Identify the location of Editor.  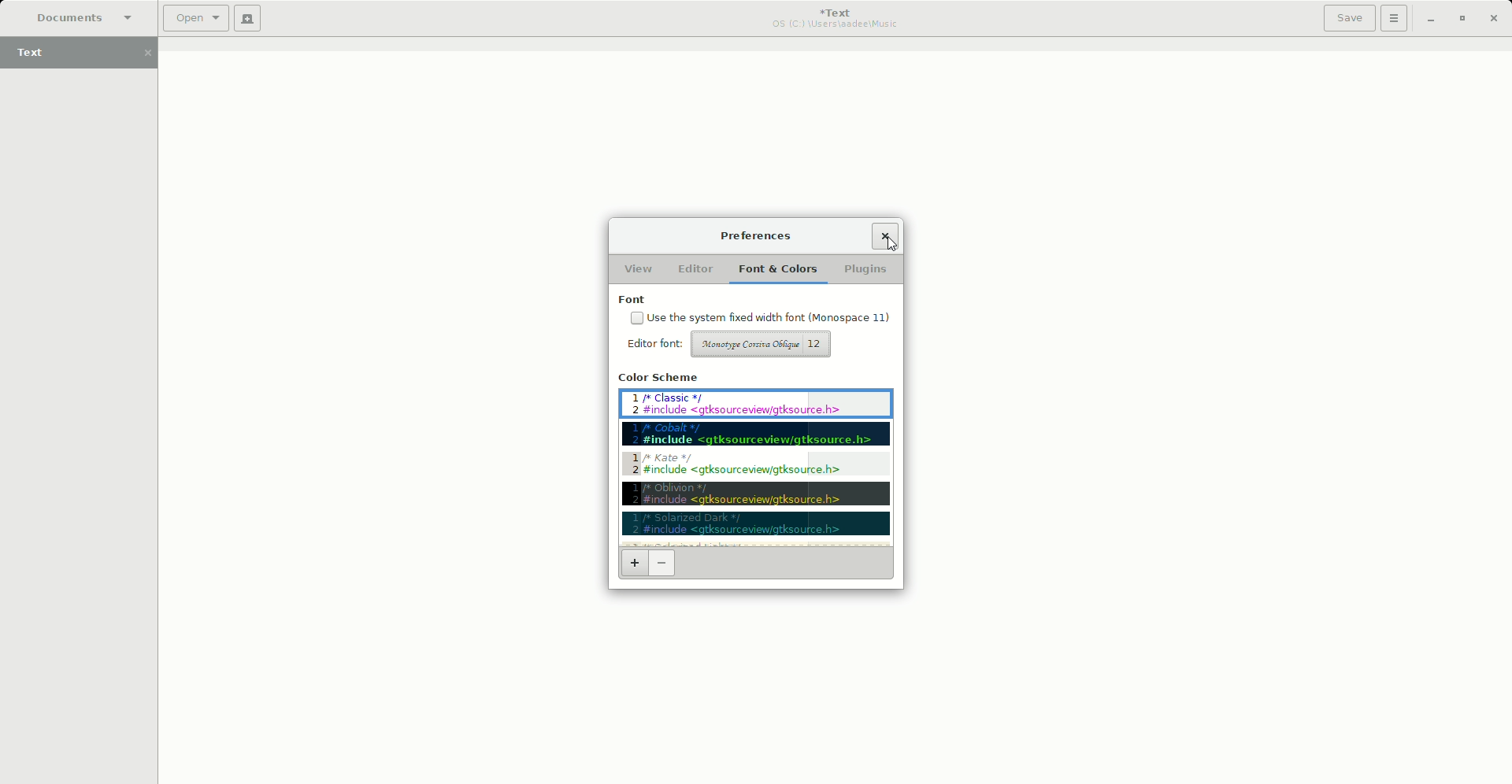
(694, 268).